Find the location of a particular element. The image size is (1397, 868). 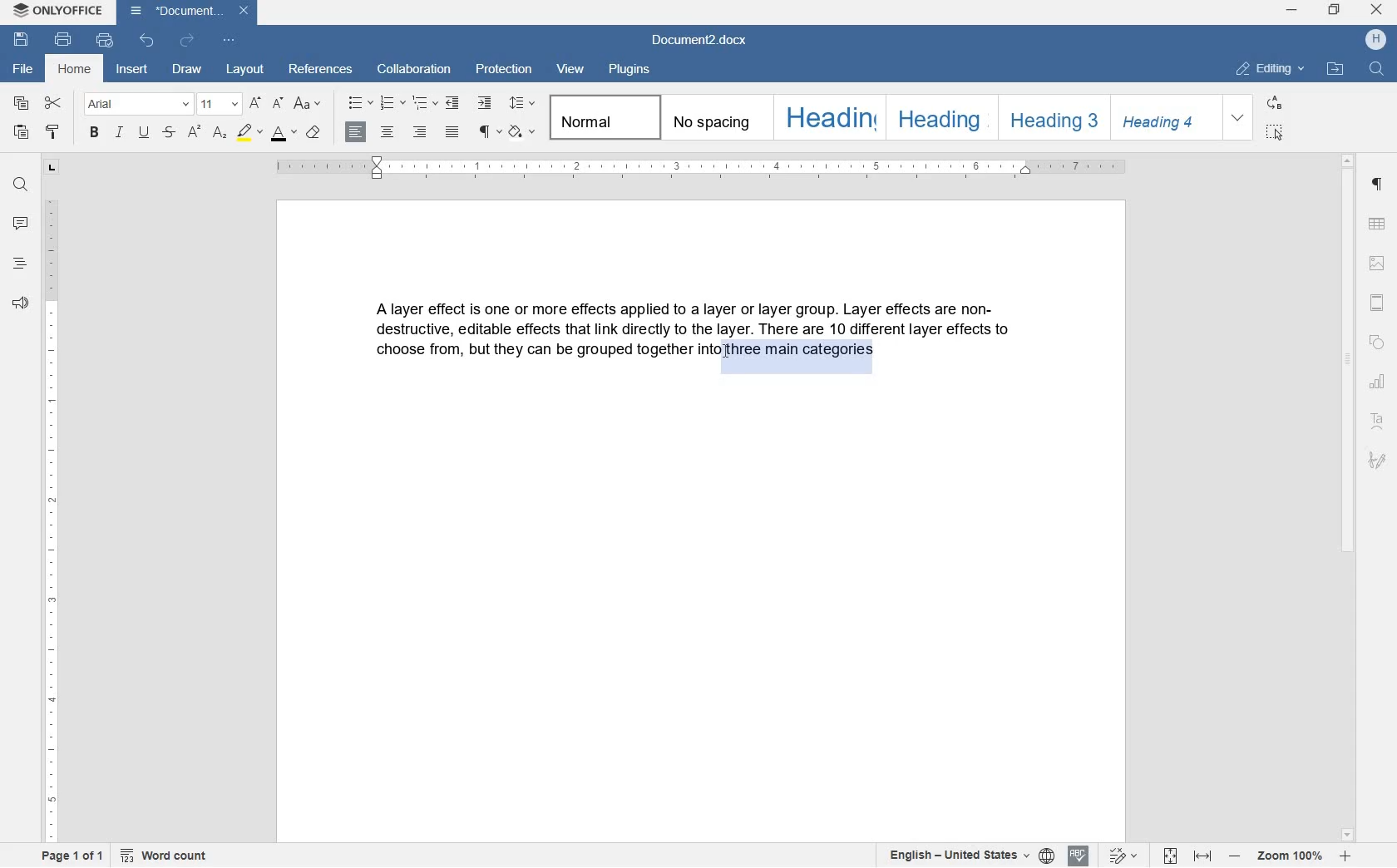

ruler is located at coordinates (707, 170).